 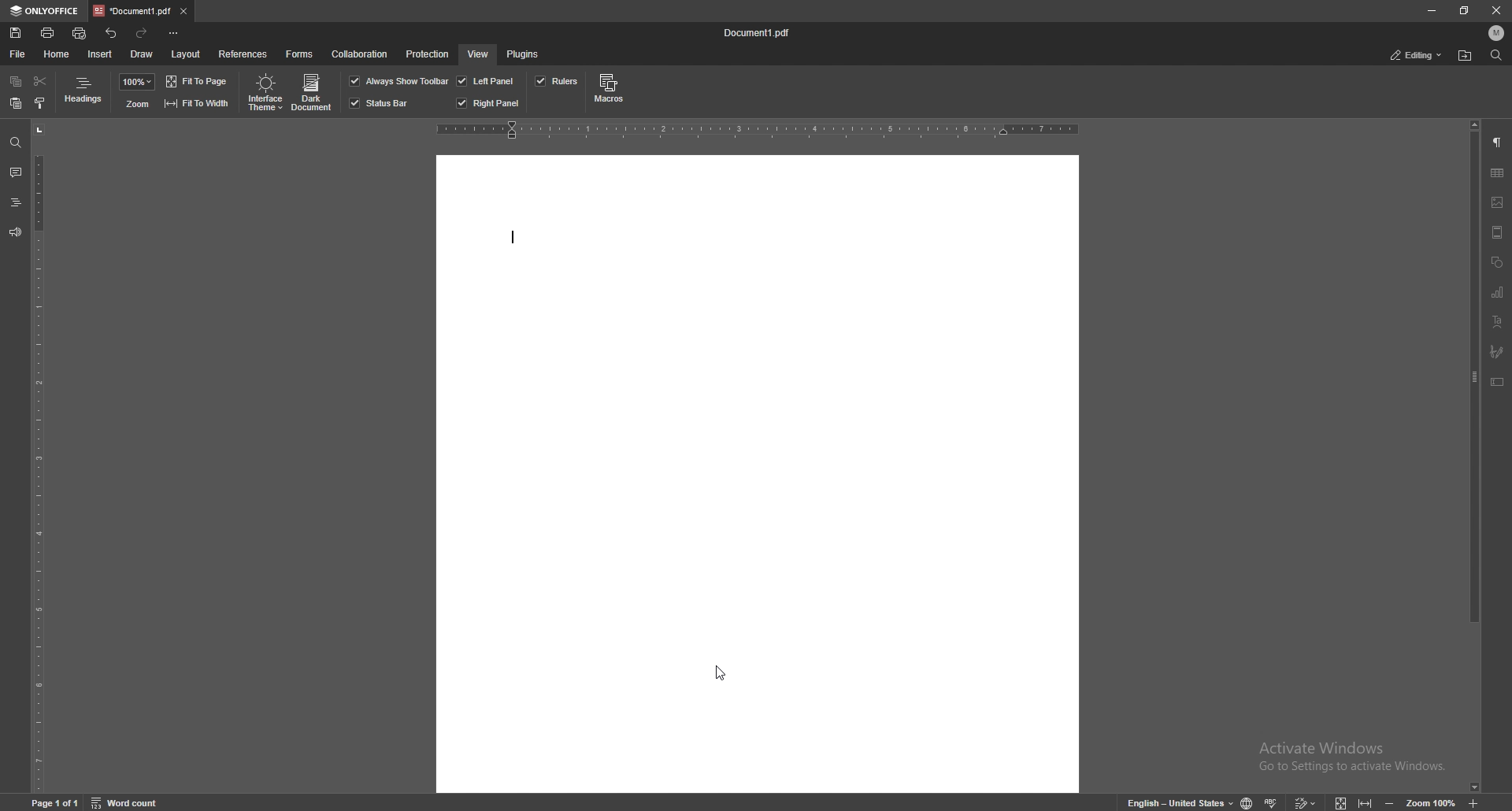 What do you see at coordinates (48, 31) in the screenshot?
I see `print` at bounding box center [48, 31].